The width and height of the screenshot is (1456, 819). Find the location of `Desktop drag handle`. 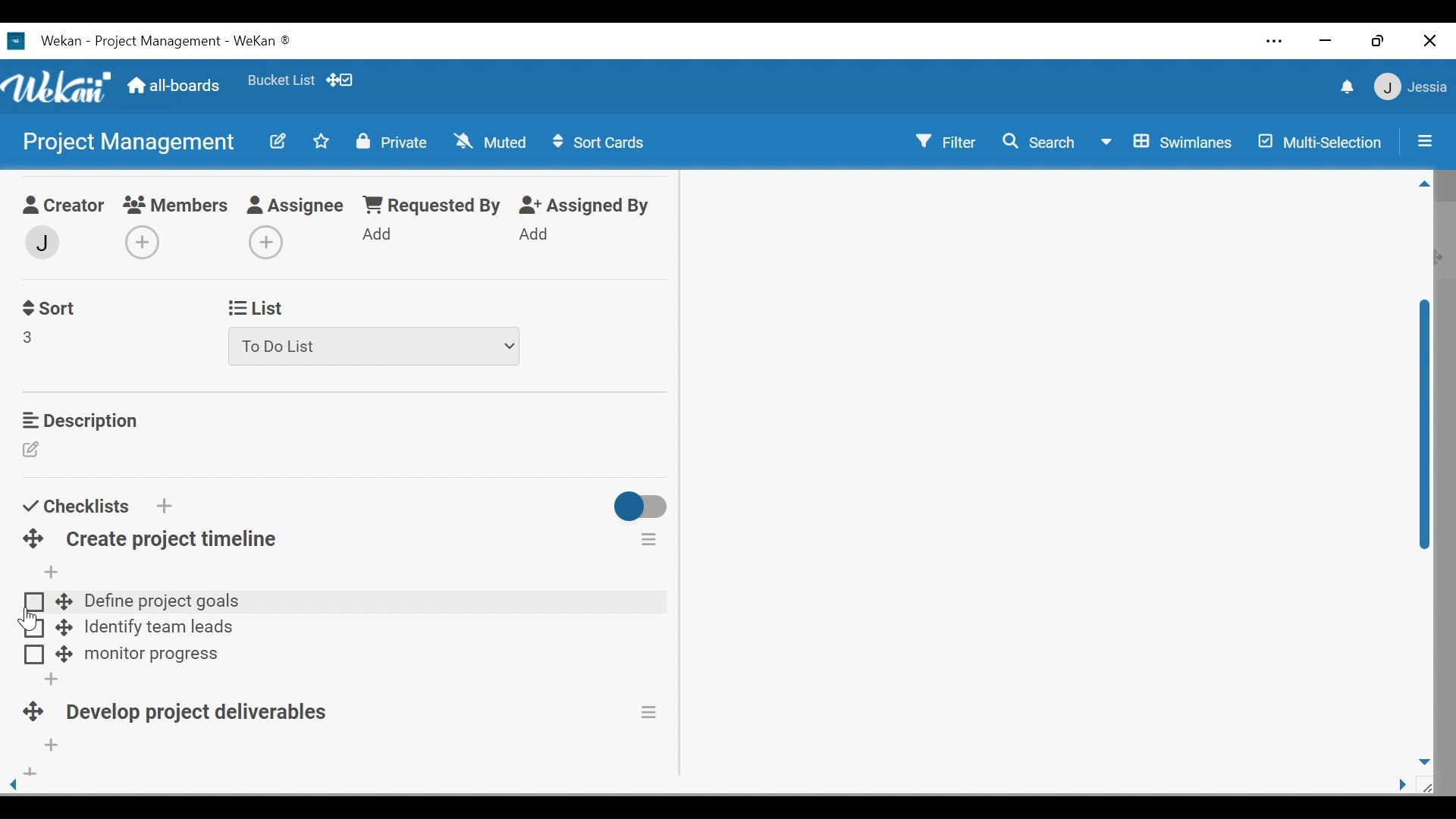

Desktop drag handle is located at coordinates (63, 655).